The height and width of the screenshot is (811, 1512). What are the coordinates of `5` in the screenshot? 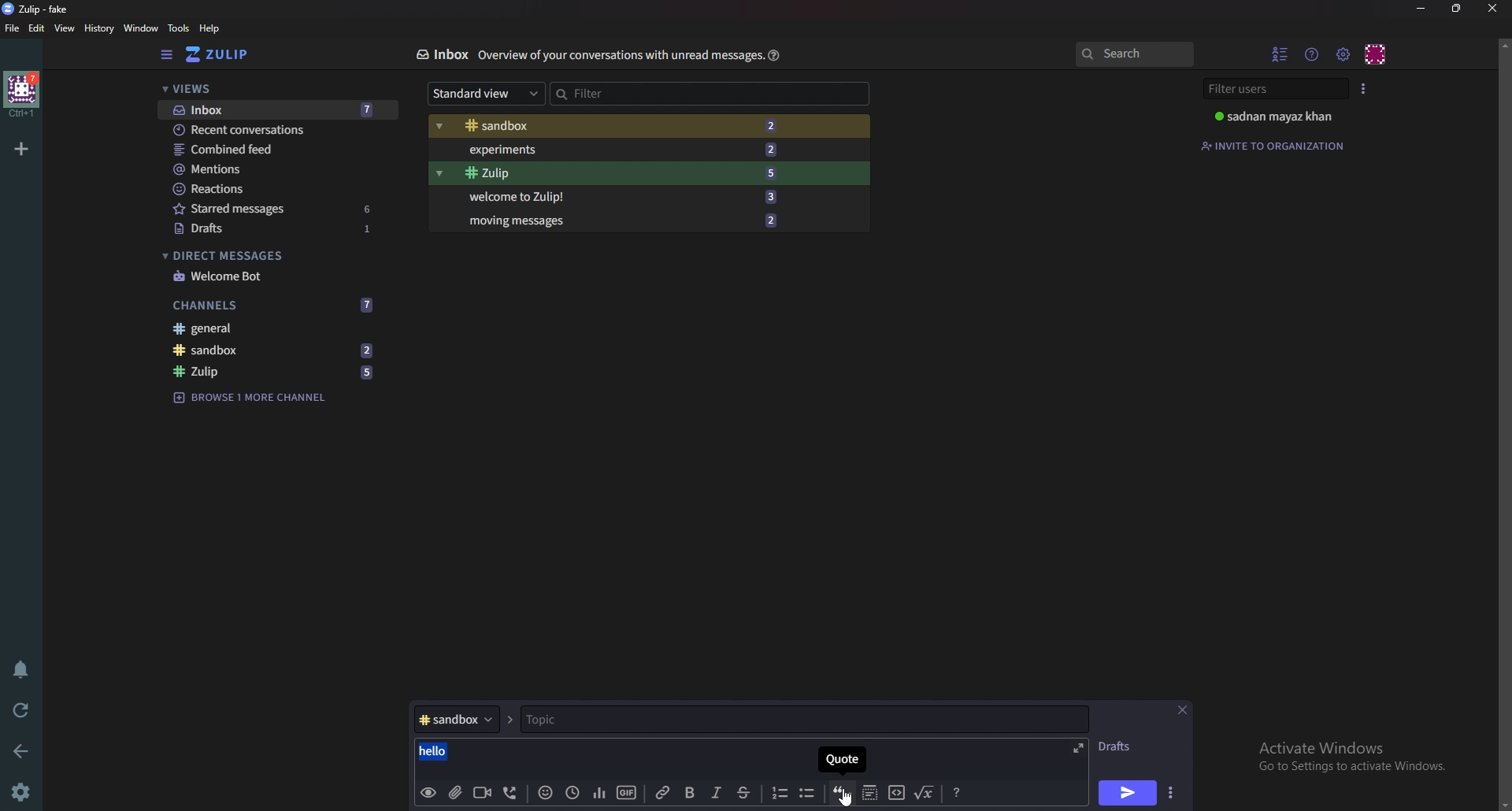 It's located at (775, 172).